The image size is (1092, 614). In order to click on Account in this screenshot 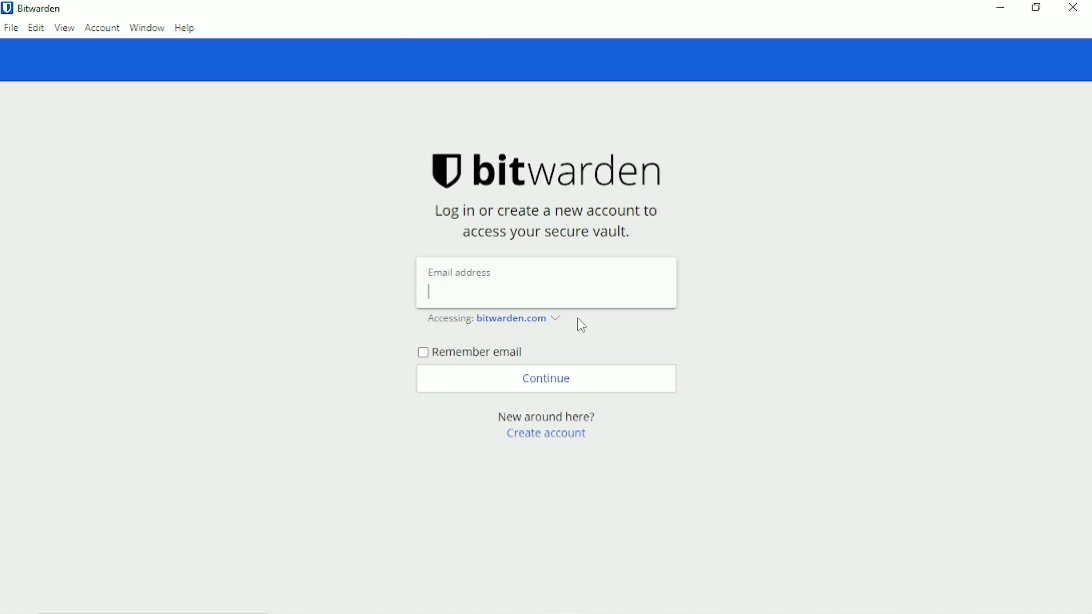, I will do `click(100, 28)`.